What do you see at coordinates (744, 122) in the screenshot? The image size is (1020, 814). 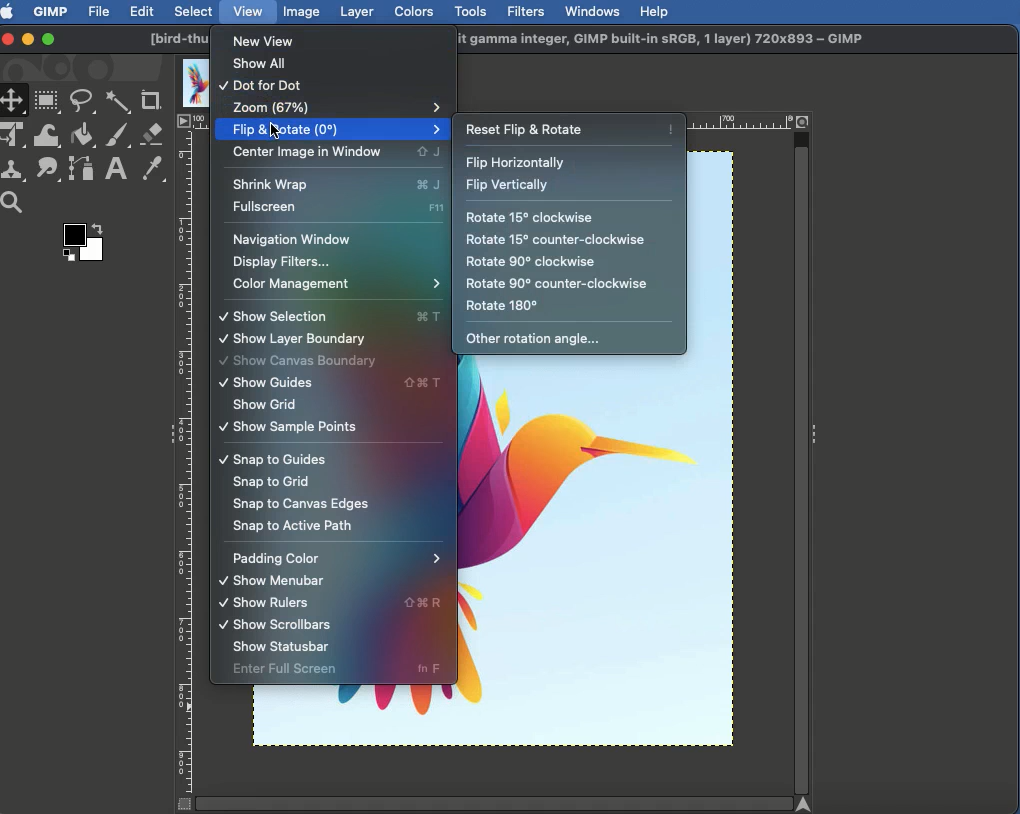 I see `horizontal Ruler` at bounding box center [744, 122].